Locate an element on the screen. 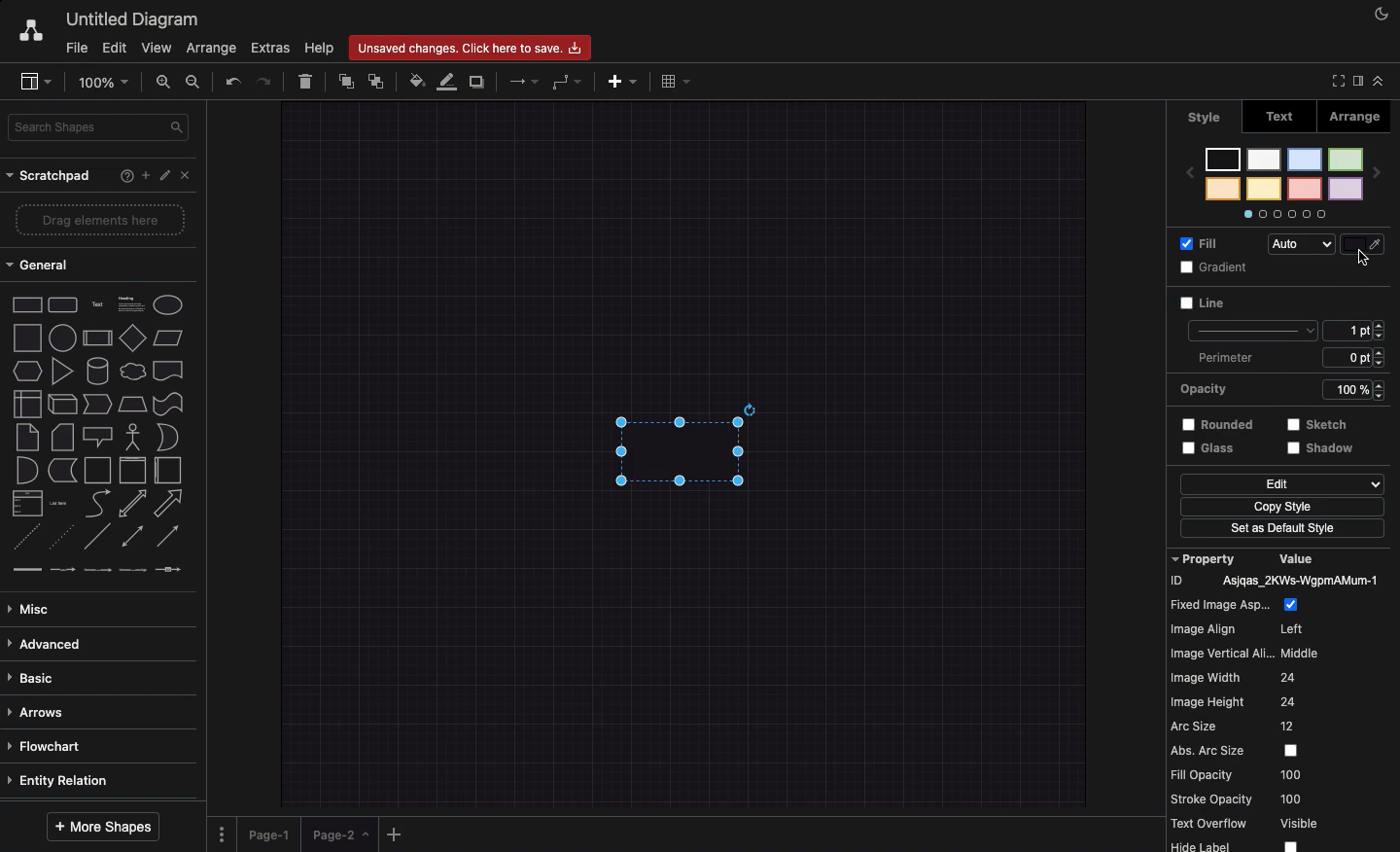  Ad is located at coordinates (624, 79).